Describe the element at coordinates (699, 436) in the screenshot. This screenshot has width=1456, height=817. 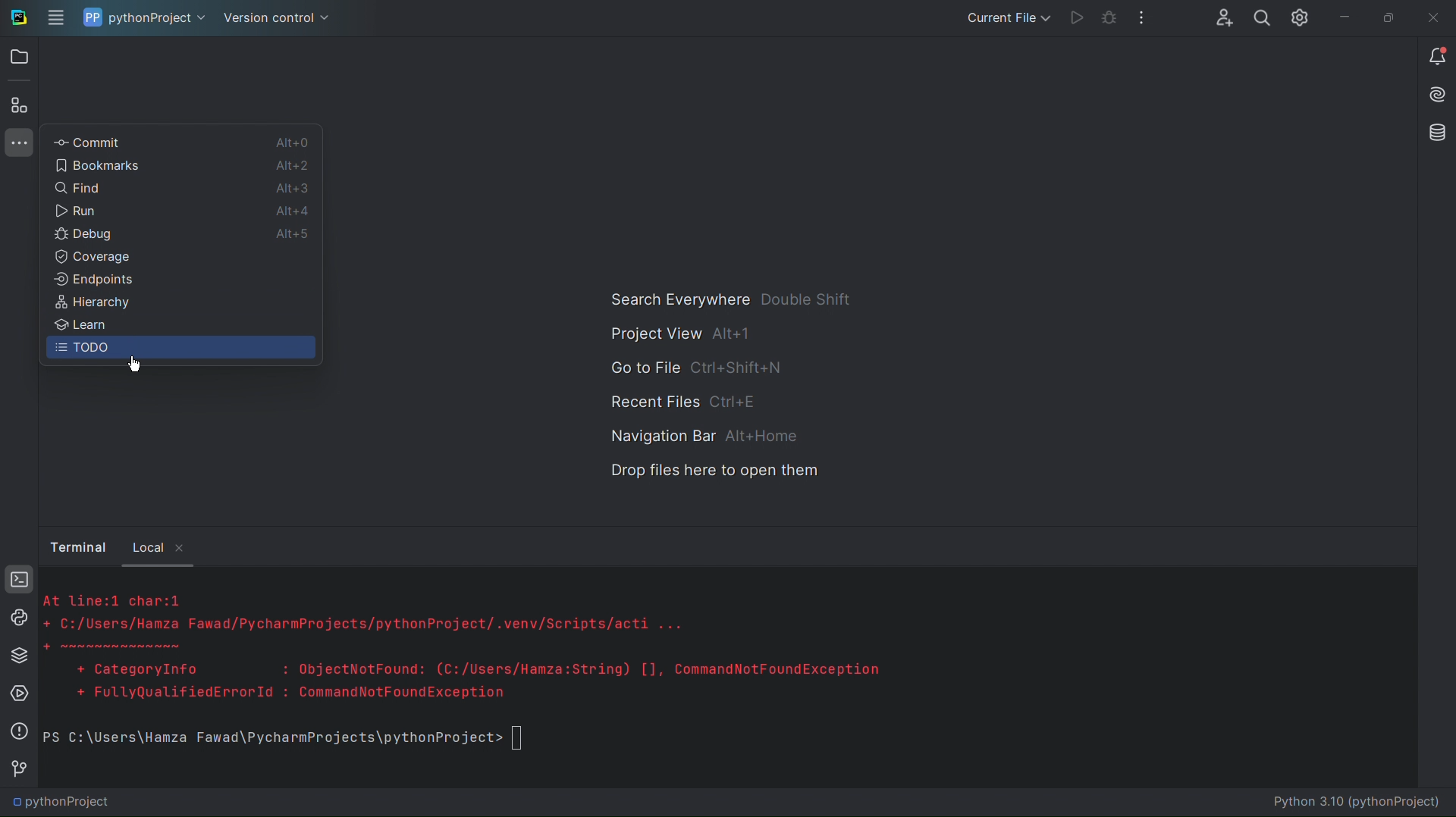
I see `Navigation Bar alt+home` at that location.